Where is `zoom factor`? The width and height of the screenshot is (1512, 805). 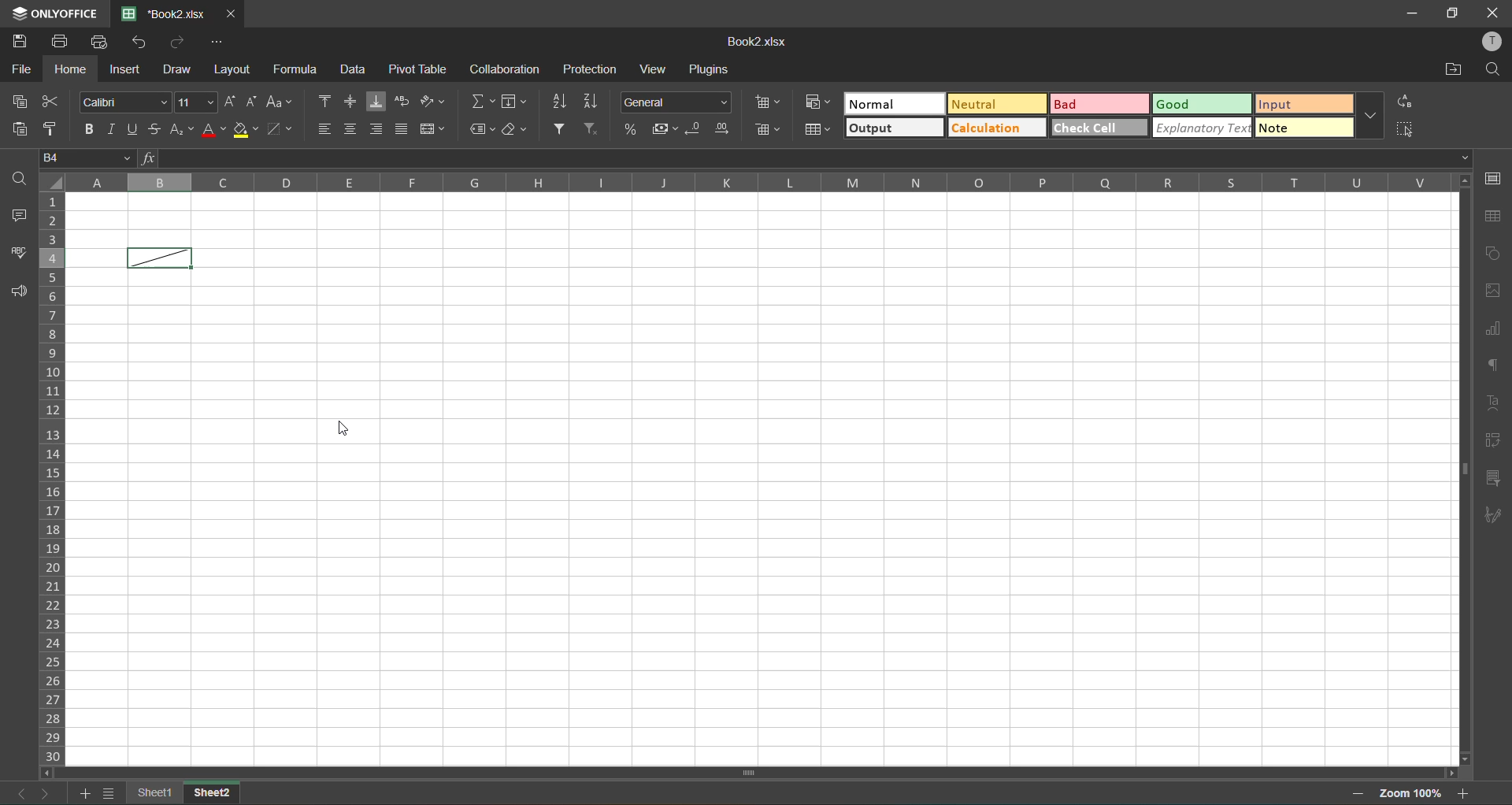
zoom factor is located at coordinates (1412, 791).